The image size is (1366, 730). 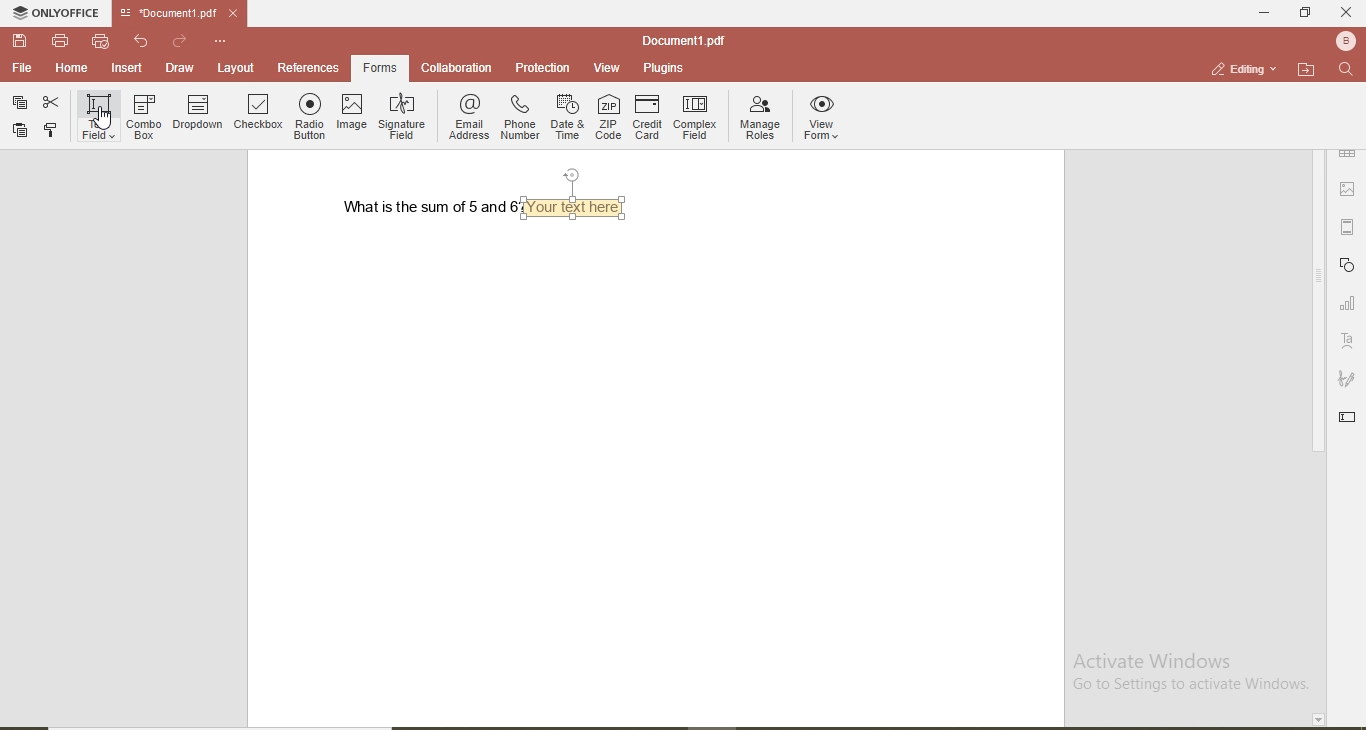 What do you see at coordinates (21, 69) in the screenshot?
I see `file` at bounding box center [21, 69].